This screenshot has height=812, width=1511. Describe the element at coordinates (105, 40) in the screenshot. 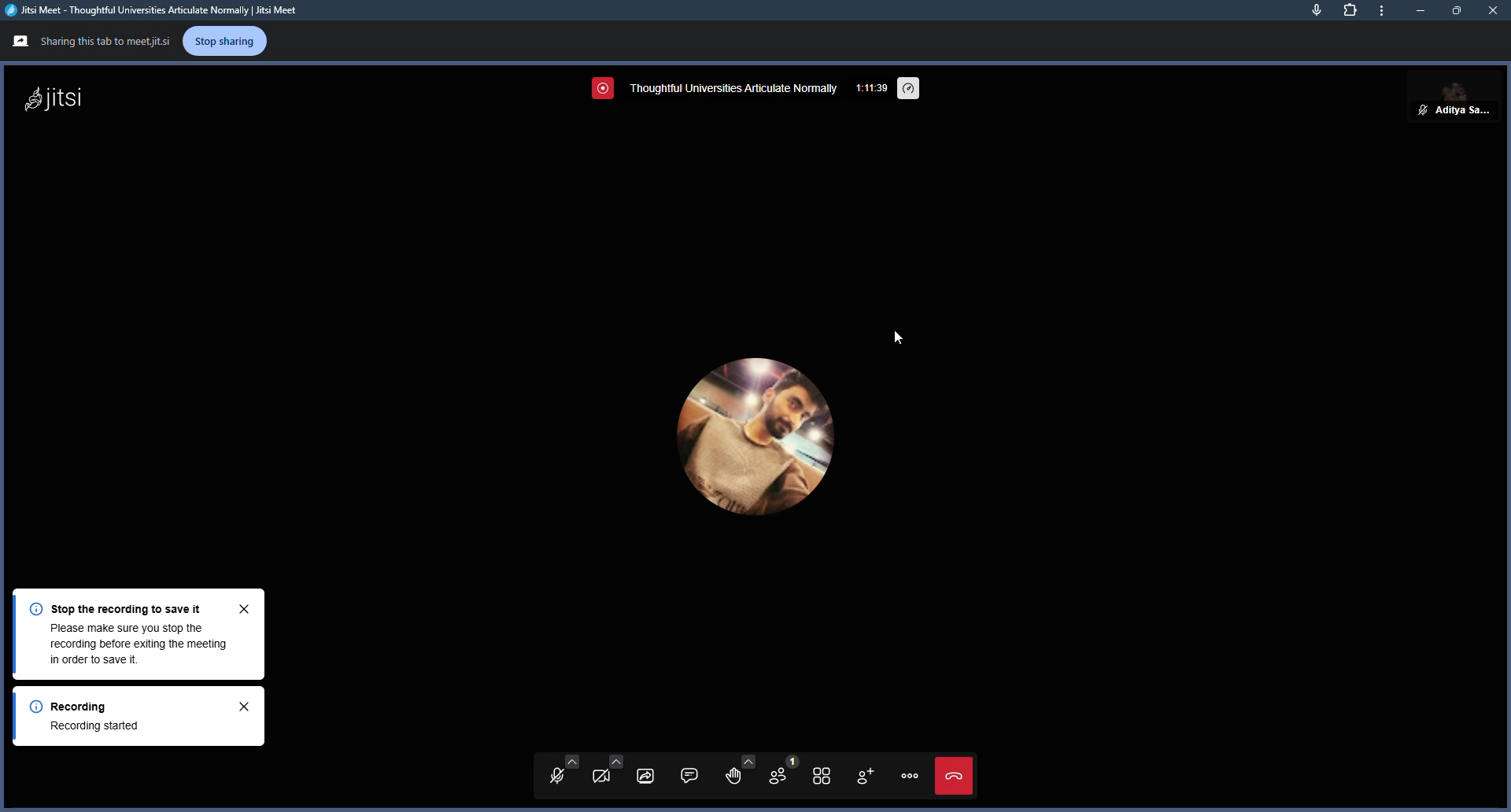

I see `Sharing this tab to meetjitsi` at that location.